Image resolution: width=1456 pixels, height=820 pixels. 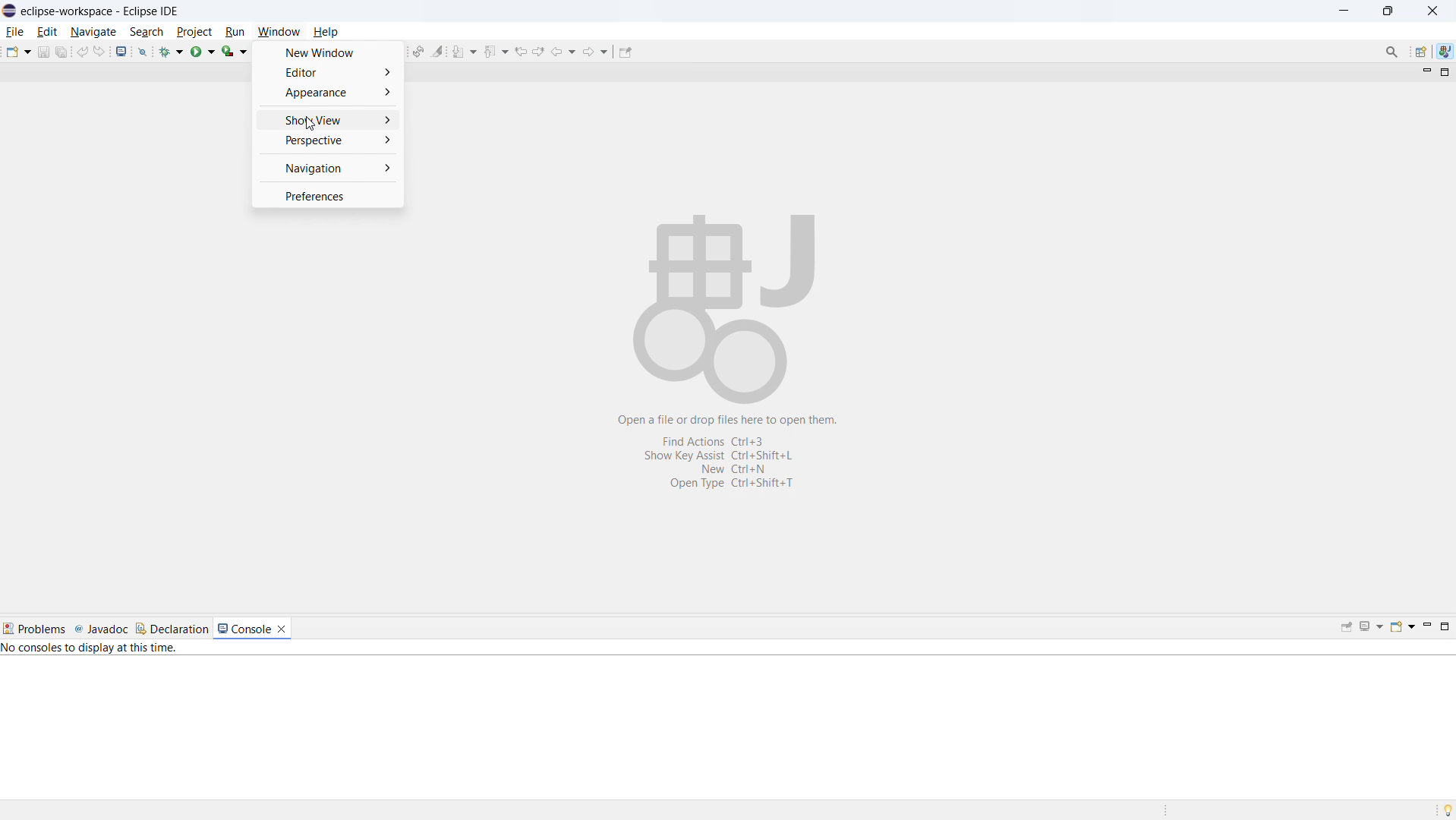 What do you see at coordinates (626, 52) in the screenshot?
I see `pin editor` at bounding box center [626, 52].